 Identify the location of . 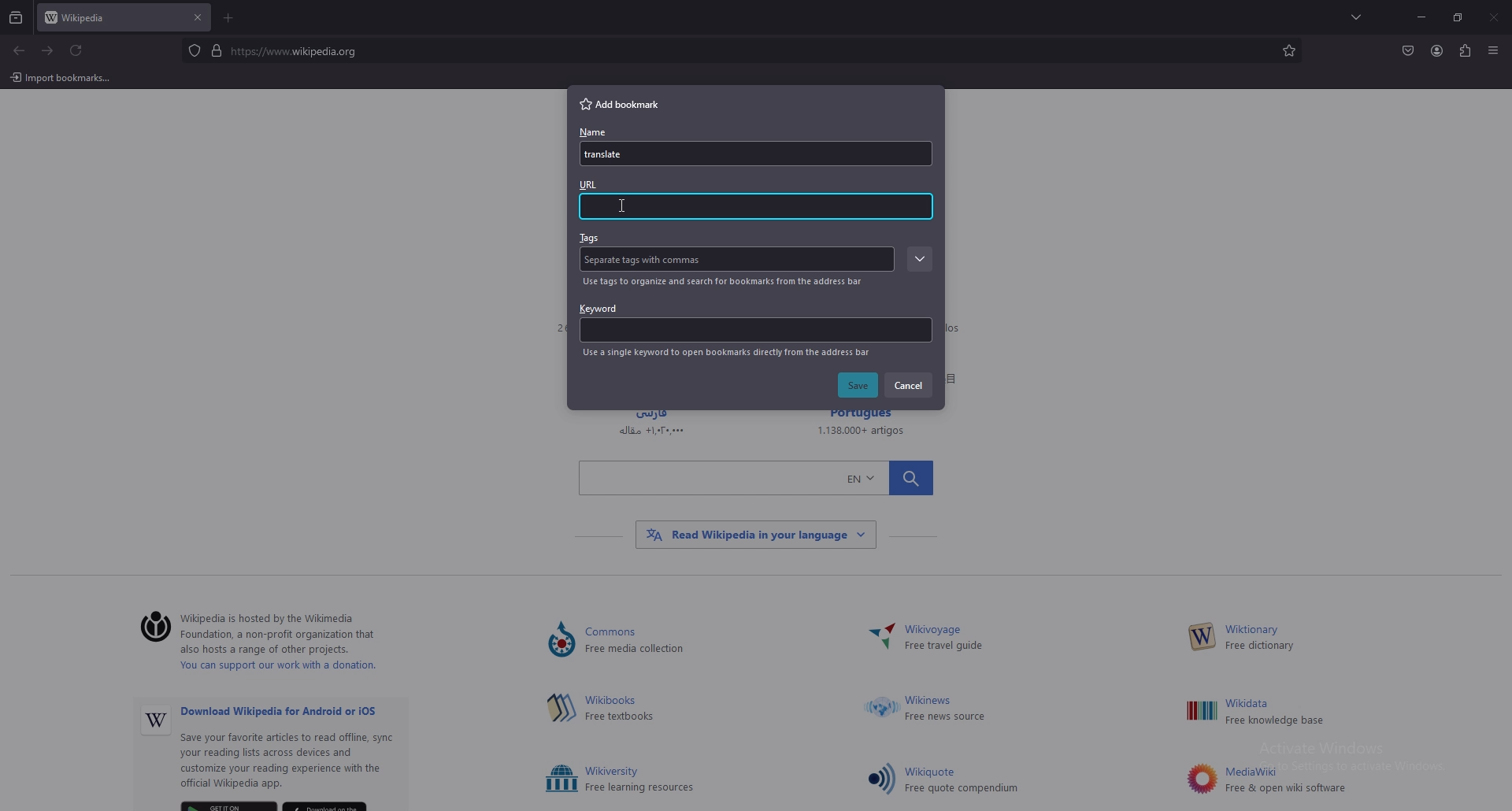
(965, 781).